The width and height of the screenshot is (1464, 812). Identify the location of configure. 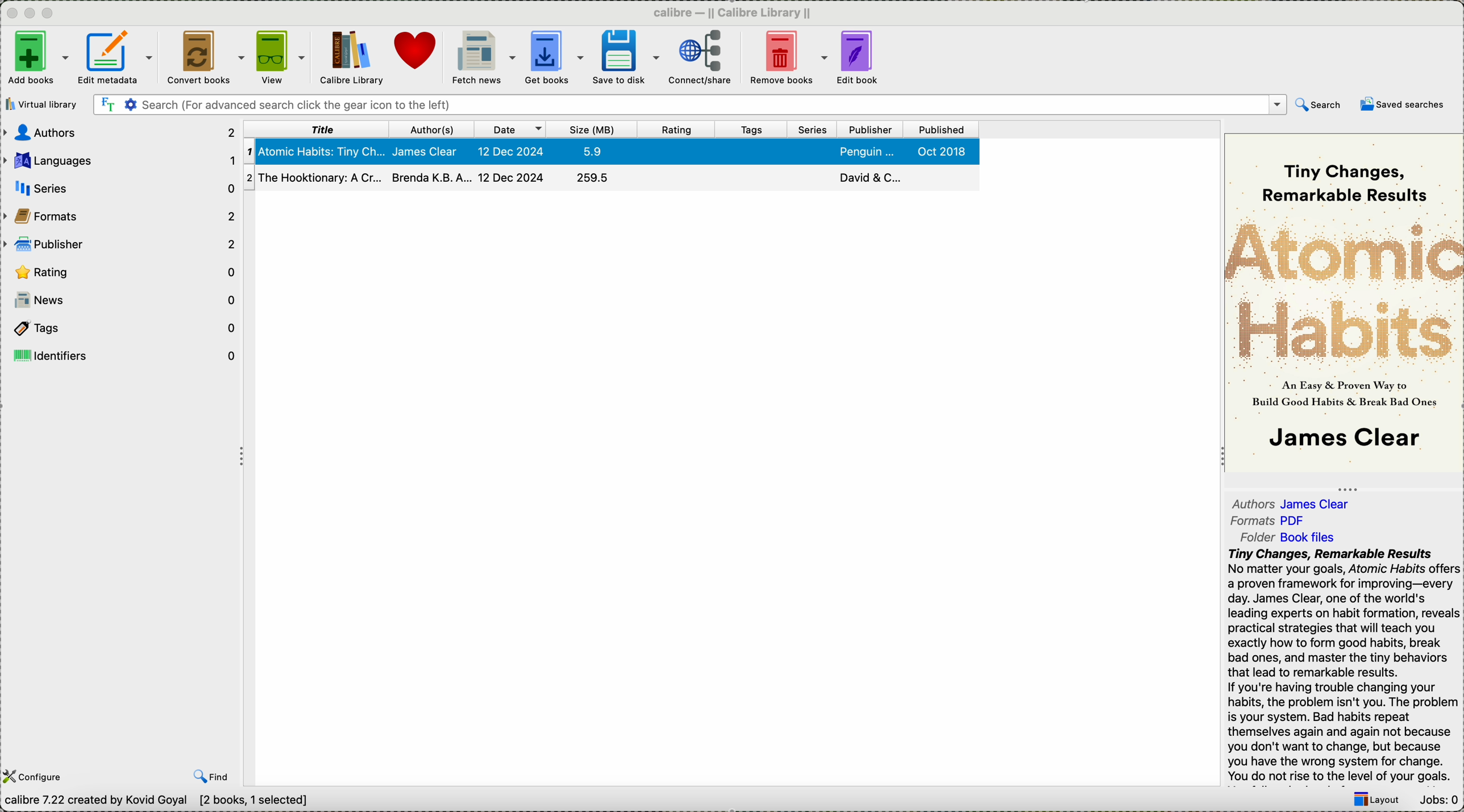
(36, 776).